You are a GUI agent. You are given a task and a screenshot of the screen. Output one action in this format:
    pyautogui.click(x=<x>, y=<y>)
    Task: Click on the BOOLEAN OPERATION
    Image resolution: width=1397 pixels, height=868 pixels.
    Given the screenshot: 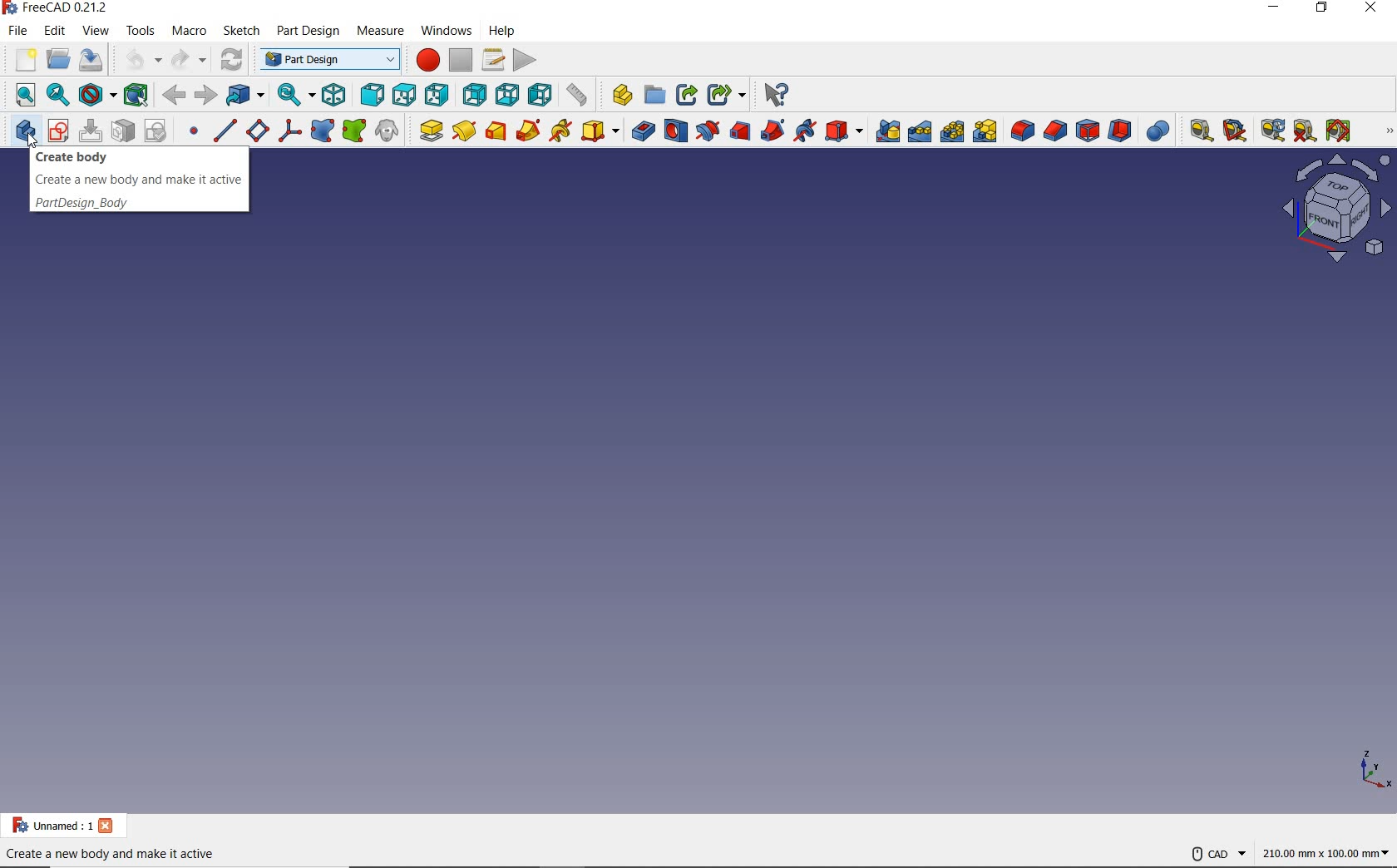 What is the action you would take?
    pyautogui.click(x=1159, y=130)
    